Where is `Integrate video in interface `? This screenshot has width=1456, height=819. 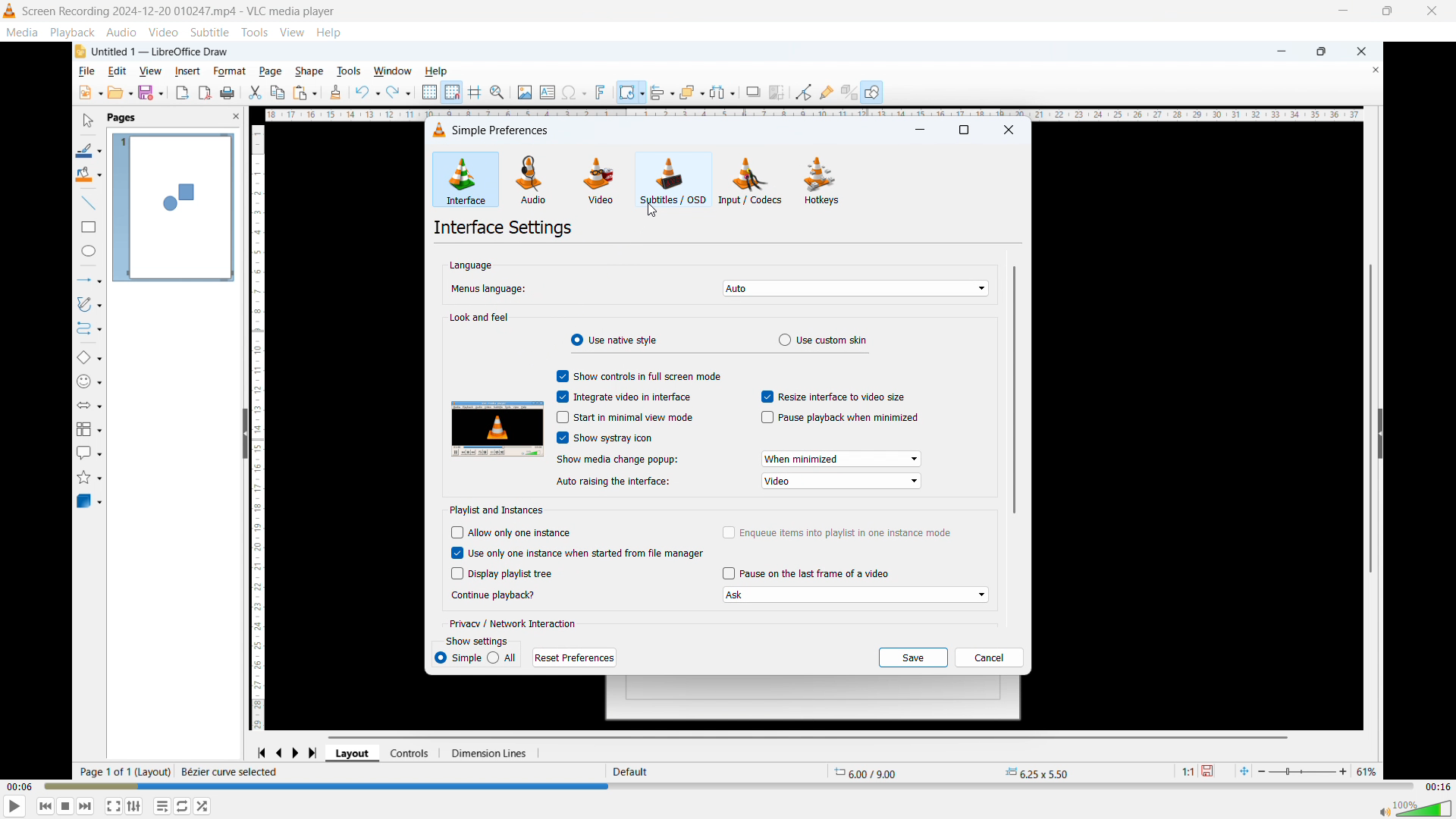 Integrate video in interface  is located at coordinates (625, 396).